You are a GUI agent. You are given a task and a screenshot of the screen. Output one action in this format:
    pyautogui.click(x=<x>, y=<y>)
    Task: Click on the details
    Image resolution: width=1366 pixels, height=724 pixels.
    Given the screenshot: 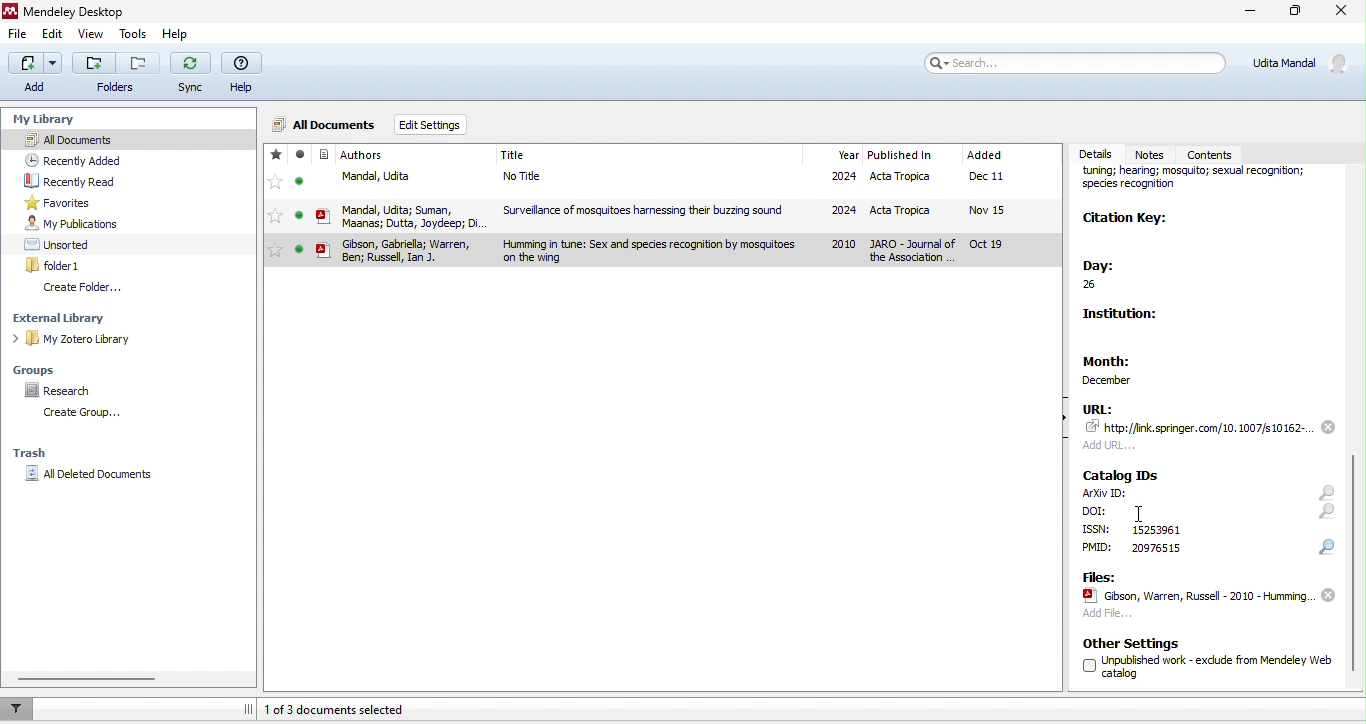 What is the action you would take?
    pyautogui.click(x=1098, y=154)
    